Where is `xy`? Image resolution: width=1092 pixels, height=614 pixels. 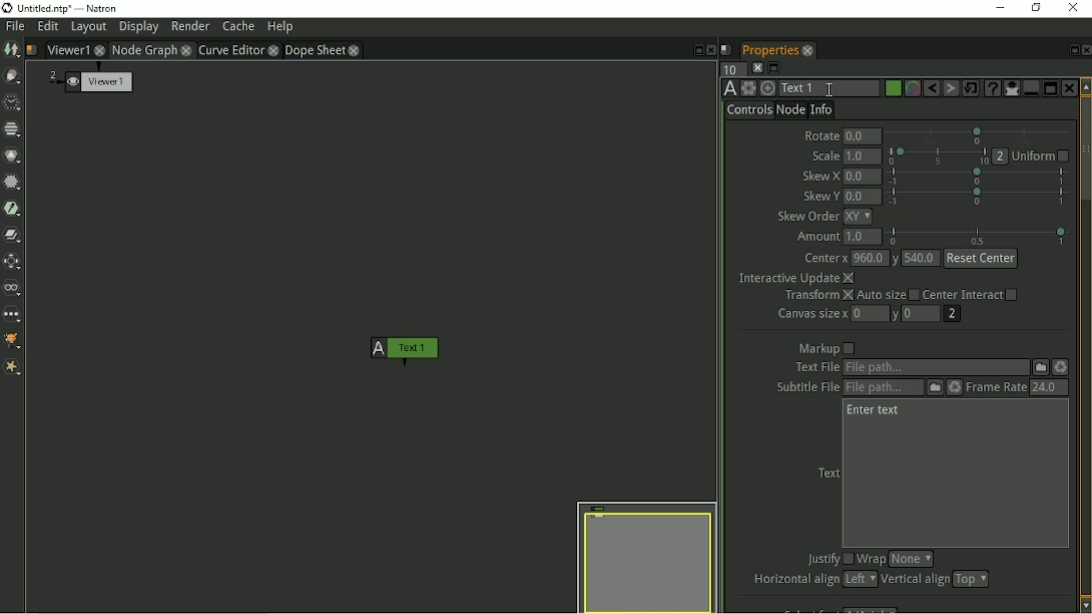
xy is located at coordinates (858, 216).